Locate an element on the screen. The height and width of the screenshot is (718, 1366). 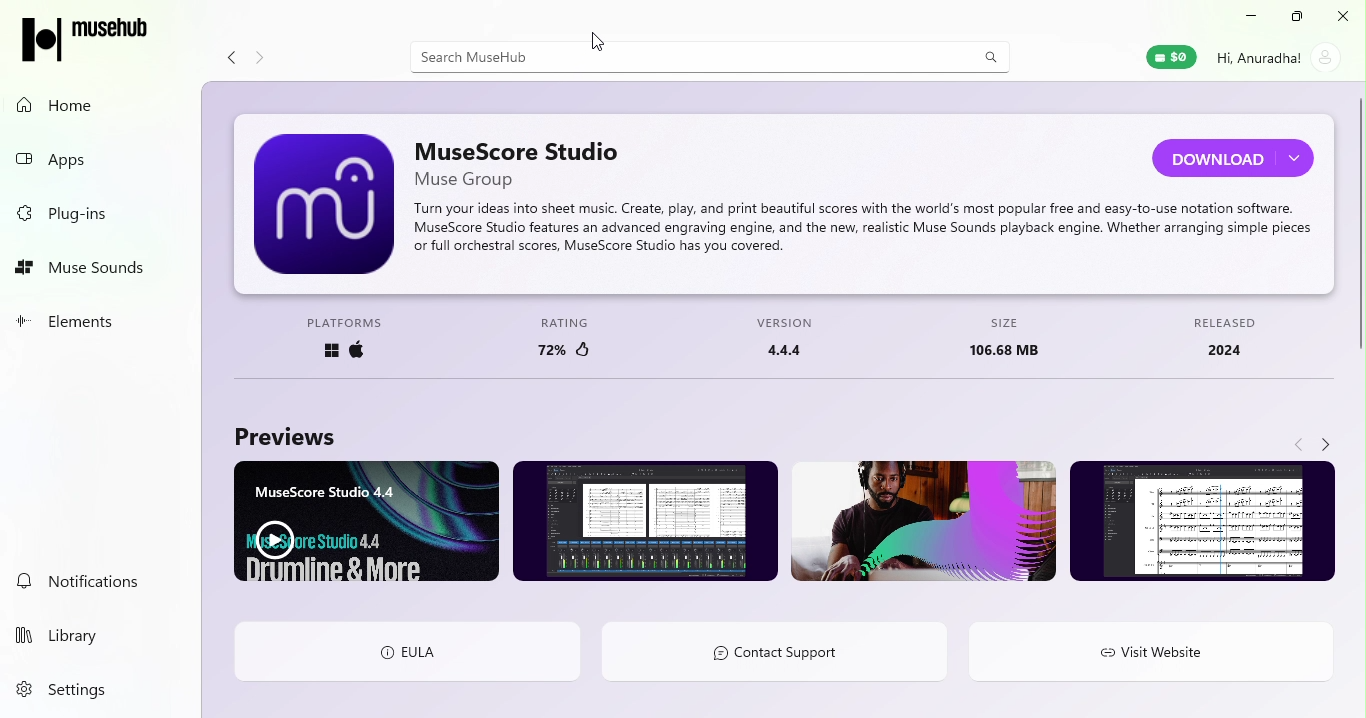
Library is located at coordinates (90, 631).